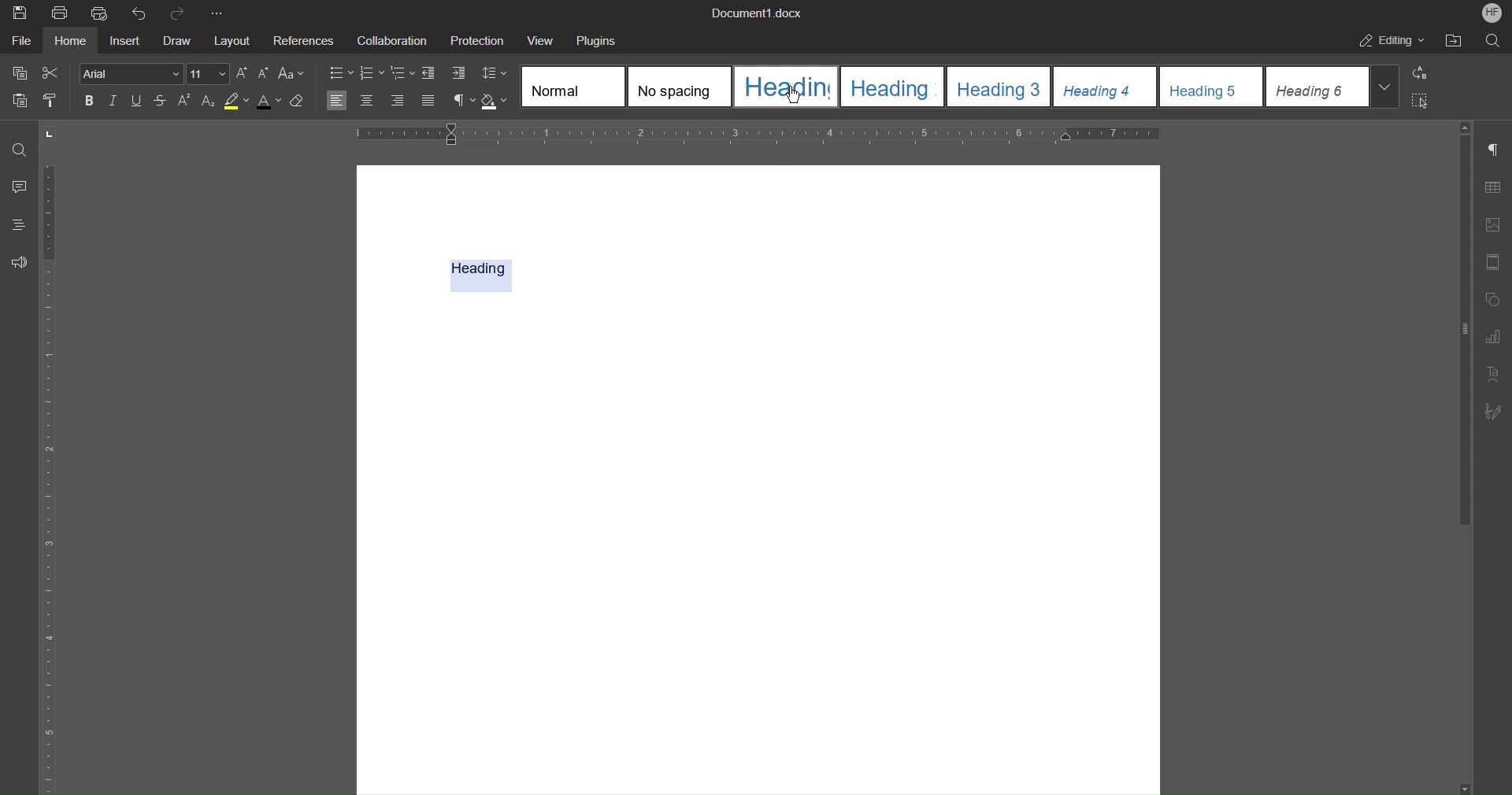  I want to click on Layout, so click(230, 39).